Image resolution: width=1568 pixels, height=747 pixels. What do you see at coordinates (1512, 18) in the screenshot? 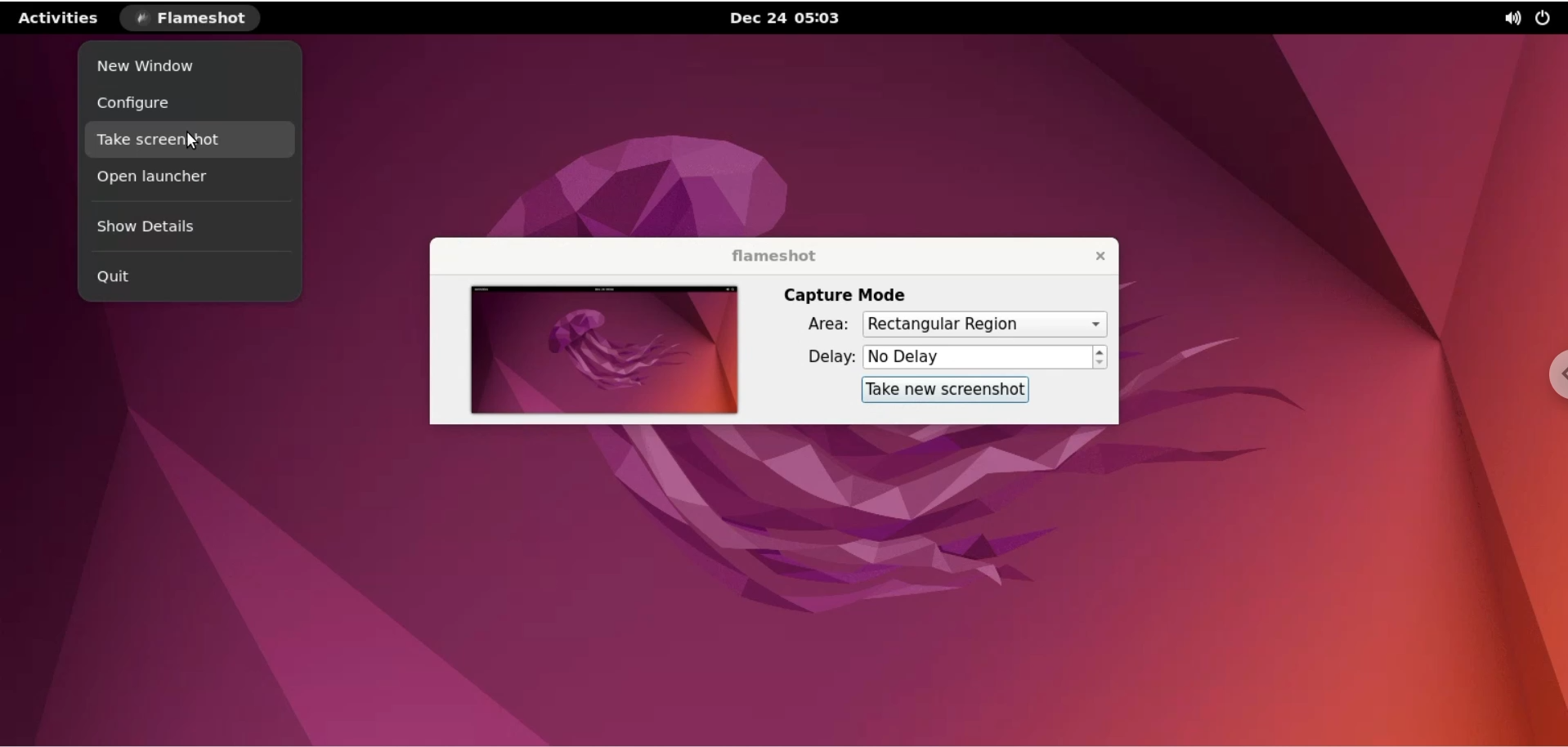
I see `sound options` at bounding box center [1512, 18].